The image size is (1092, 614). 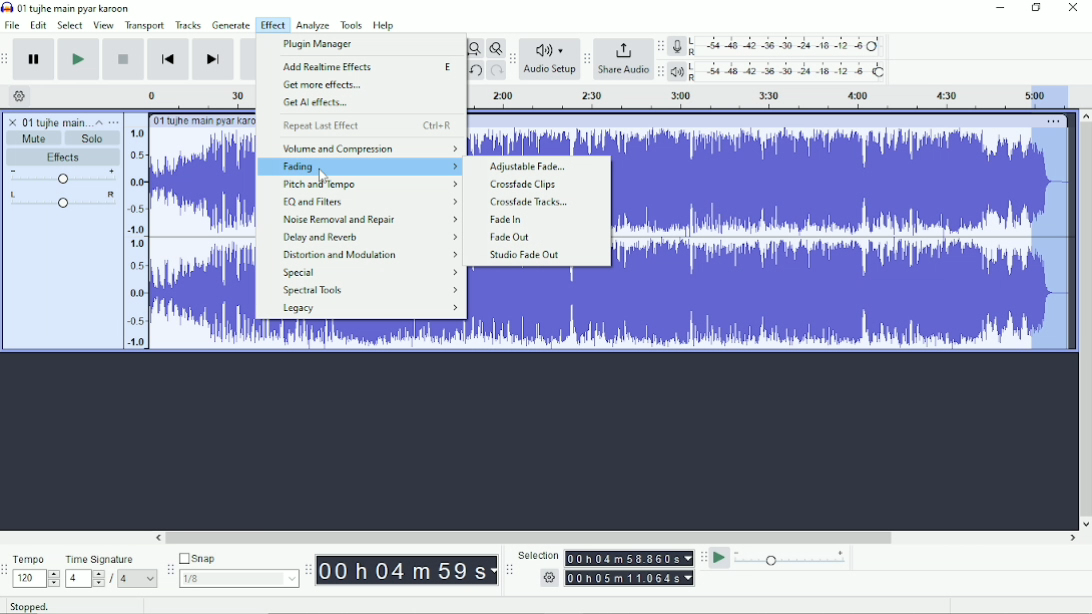 What do you see at coordinates (549, 577) in the screenshot?
I see `settings` at bounding box center [549, 577].